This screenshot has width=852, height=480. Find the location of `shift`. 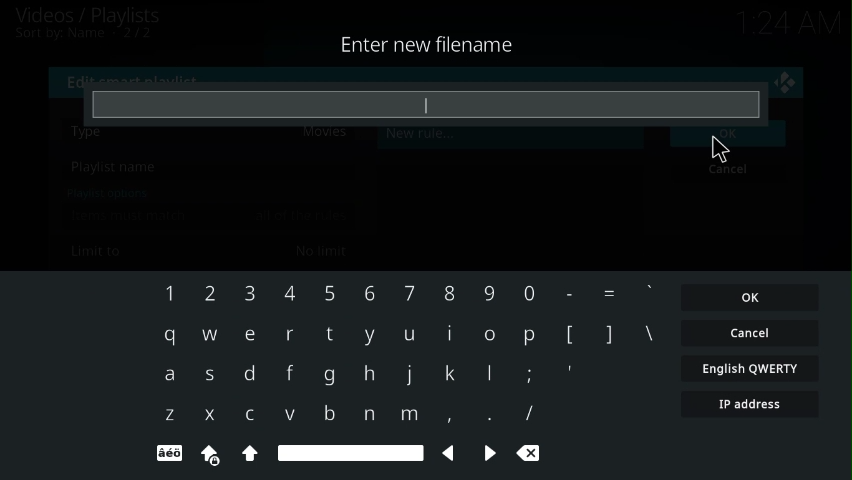

shift is located at coordinates (250, 453).